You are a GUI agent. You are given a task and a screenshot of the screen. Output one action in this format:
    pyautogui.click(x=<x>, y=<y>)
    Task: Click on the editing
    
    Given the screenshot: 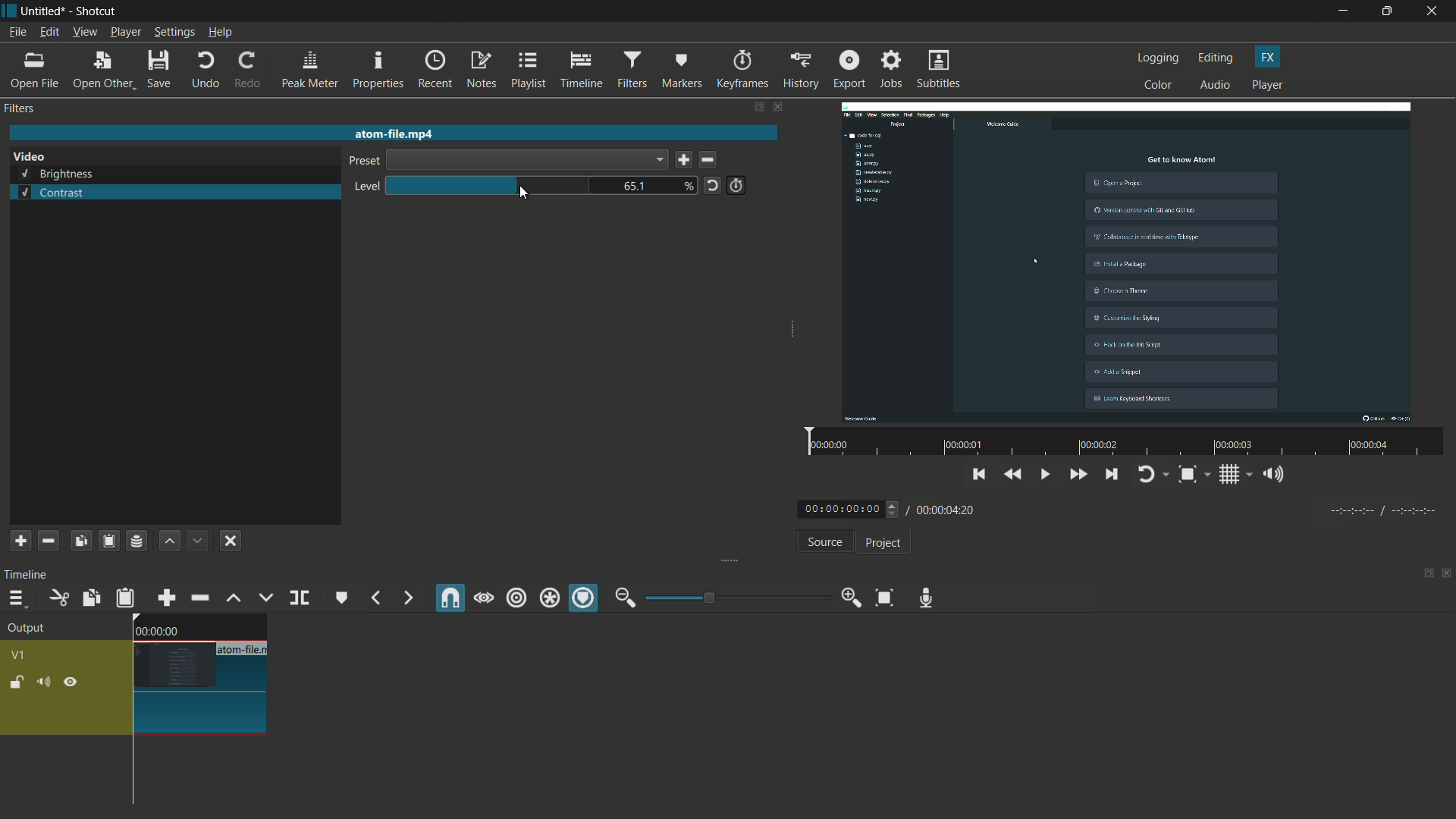 What is the action you would take?
    pyautogui.click(x=1216, y=58)
    